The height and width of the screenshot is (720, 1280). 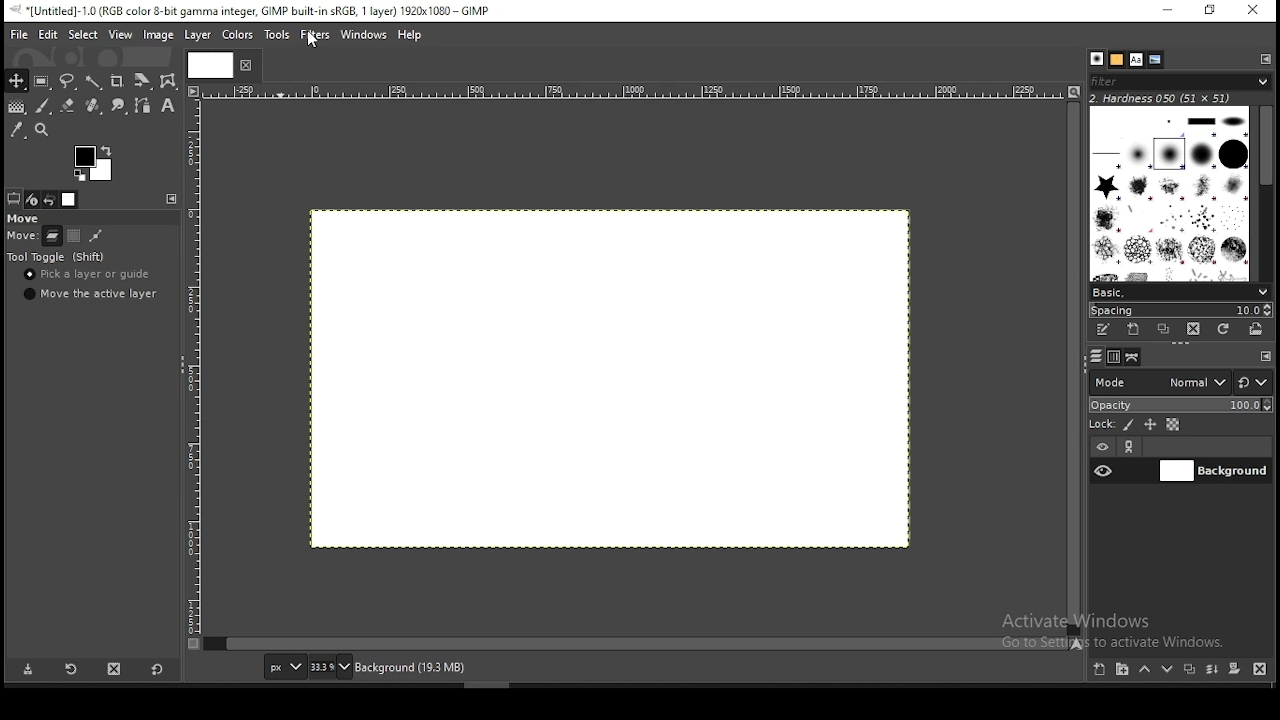 I want to click on windows, so click(x=364, y=36).